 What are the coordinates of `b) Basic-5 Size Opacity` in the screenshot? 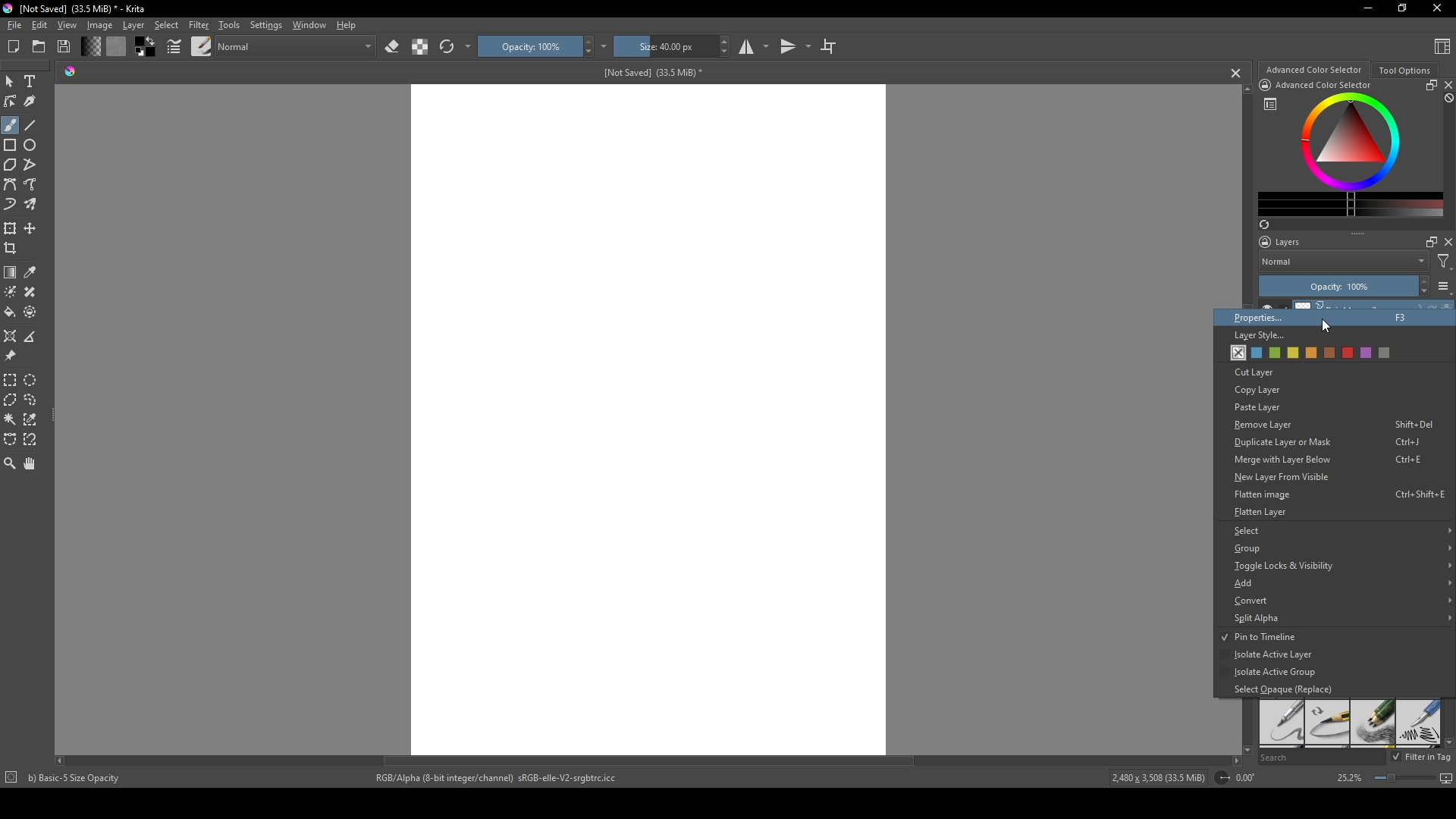 It's located at (77, 778).